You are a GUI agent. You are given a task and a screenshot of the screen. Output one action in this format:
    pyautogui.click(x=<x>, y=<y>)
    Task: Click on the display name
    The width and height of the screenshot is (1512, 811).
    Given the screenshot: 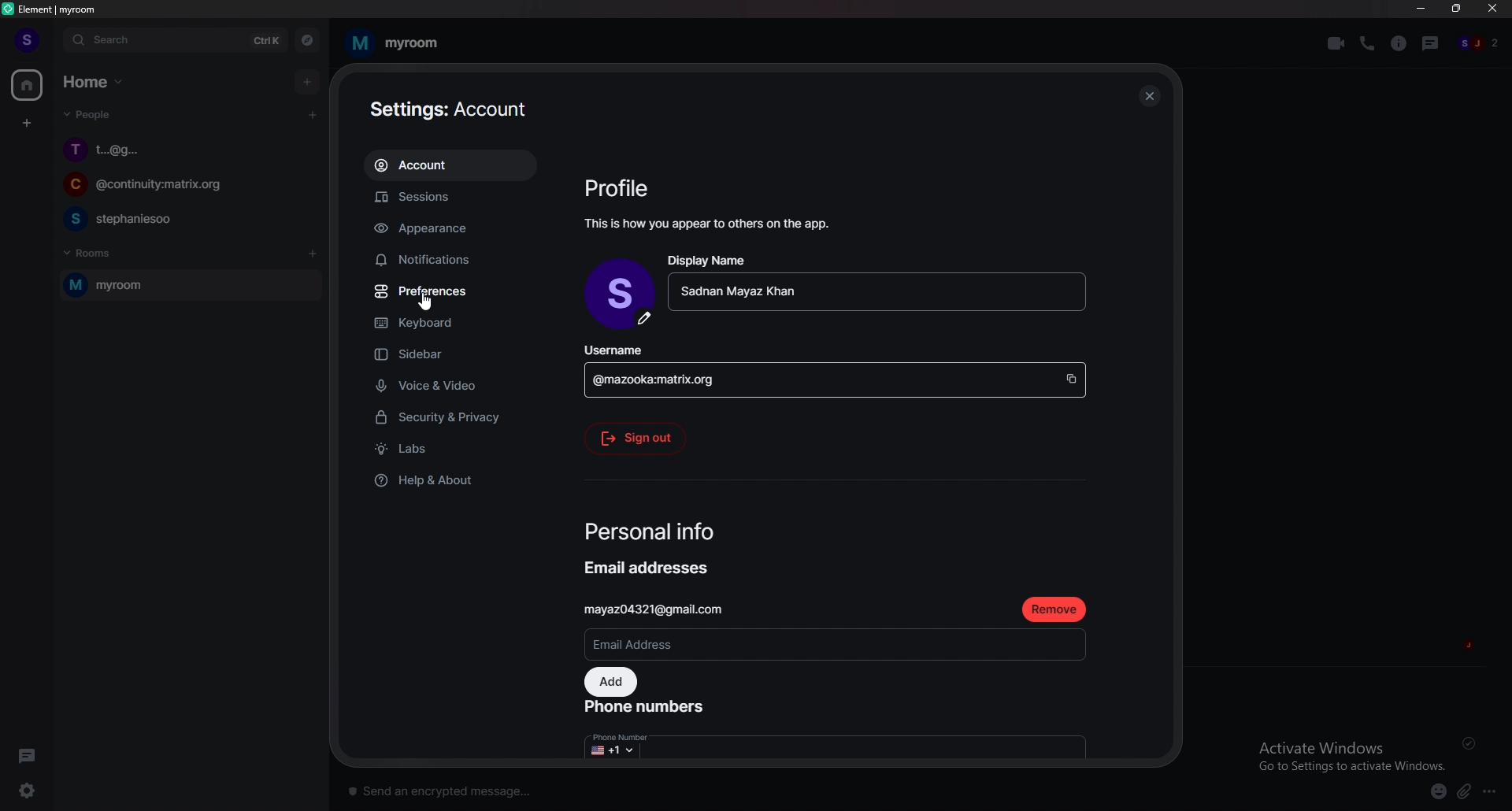 What is the action you would take?
    pyautogui.click(x=710, y=260)
    